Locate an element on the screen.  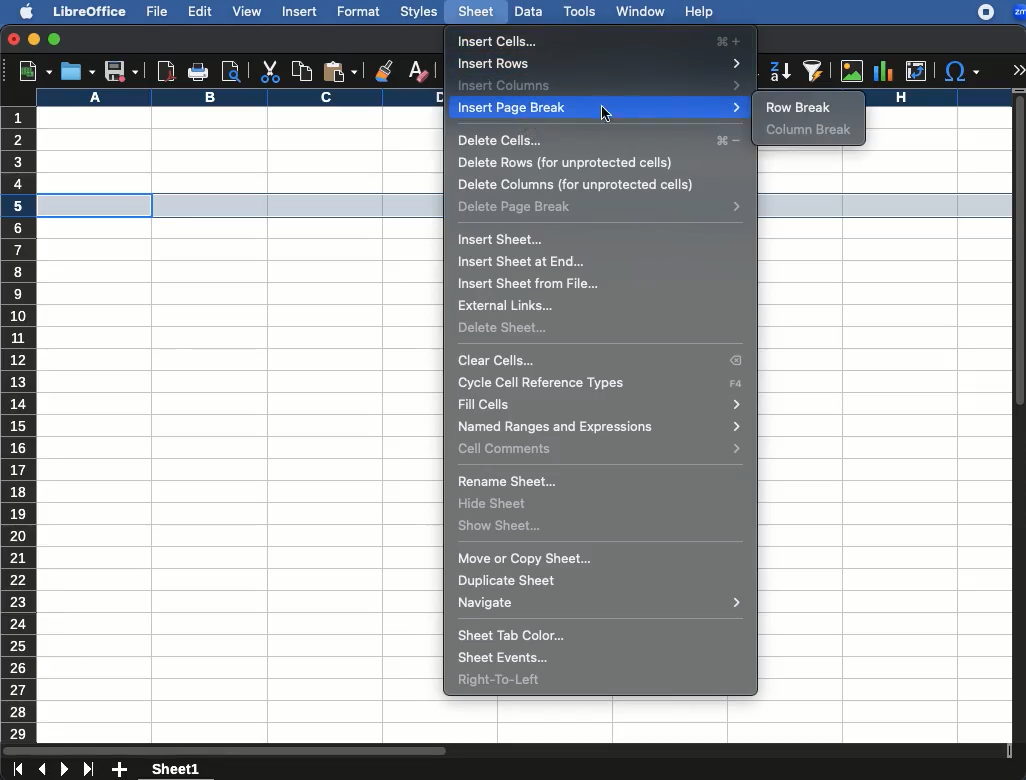
help is located at coordinates (698, 12).